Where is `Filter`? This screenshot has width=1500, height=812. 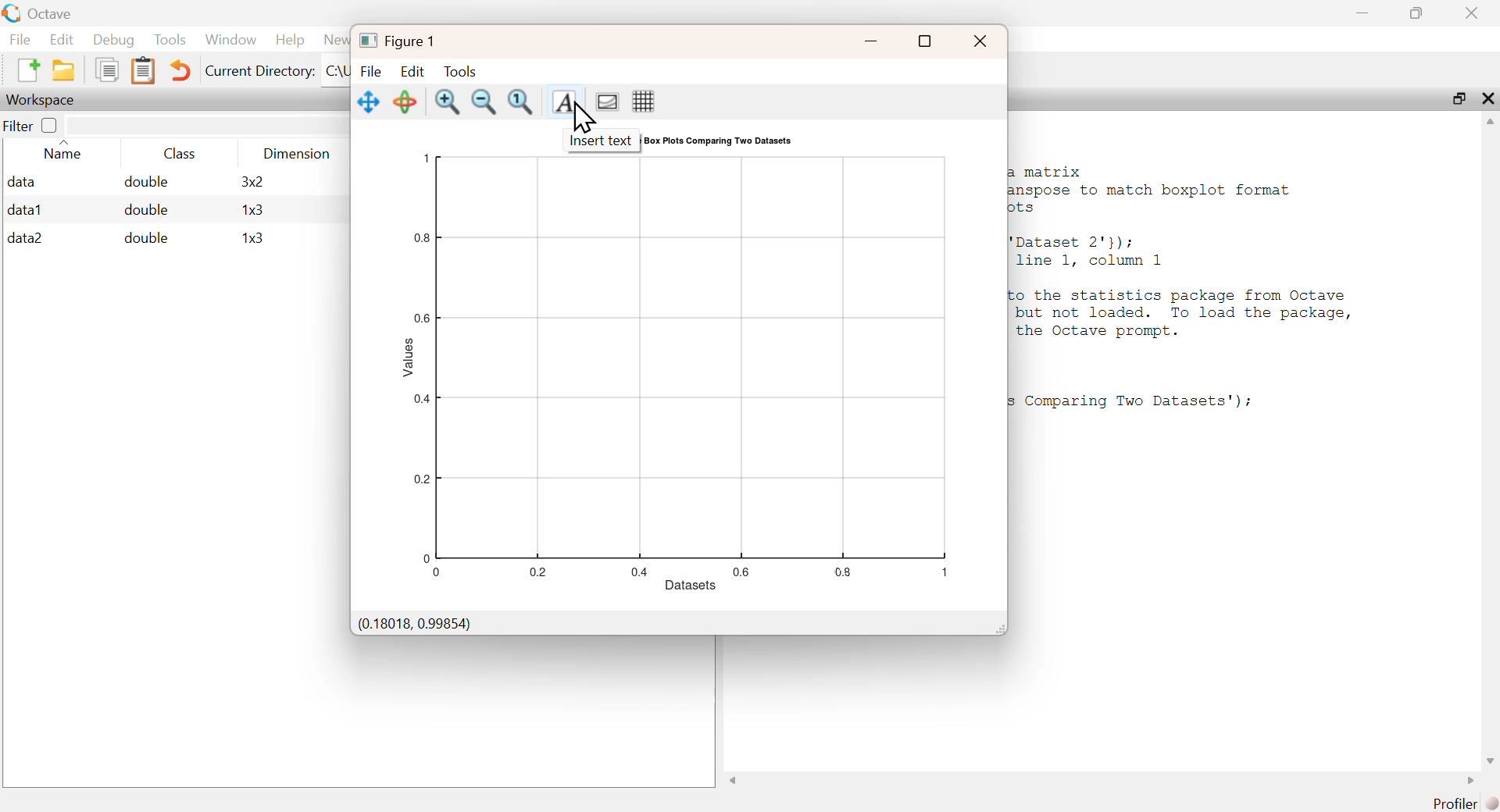
Filter is located at coordinates (31, 124).